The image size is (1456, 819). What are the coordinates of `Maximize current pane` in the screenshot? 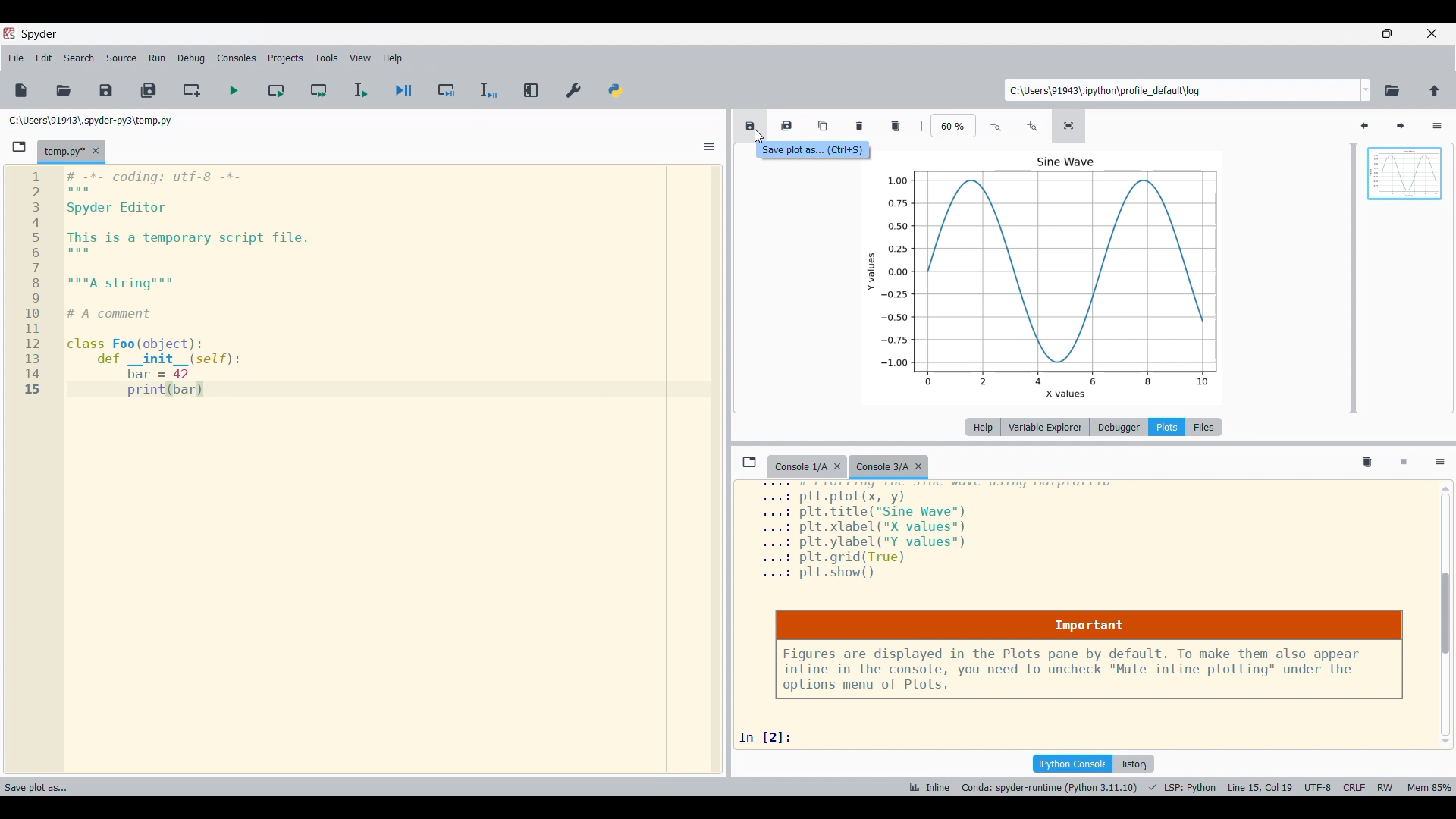 It's located at (532, 89).